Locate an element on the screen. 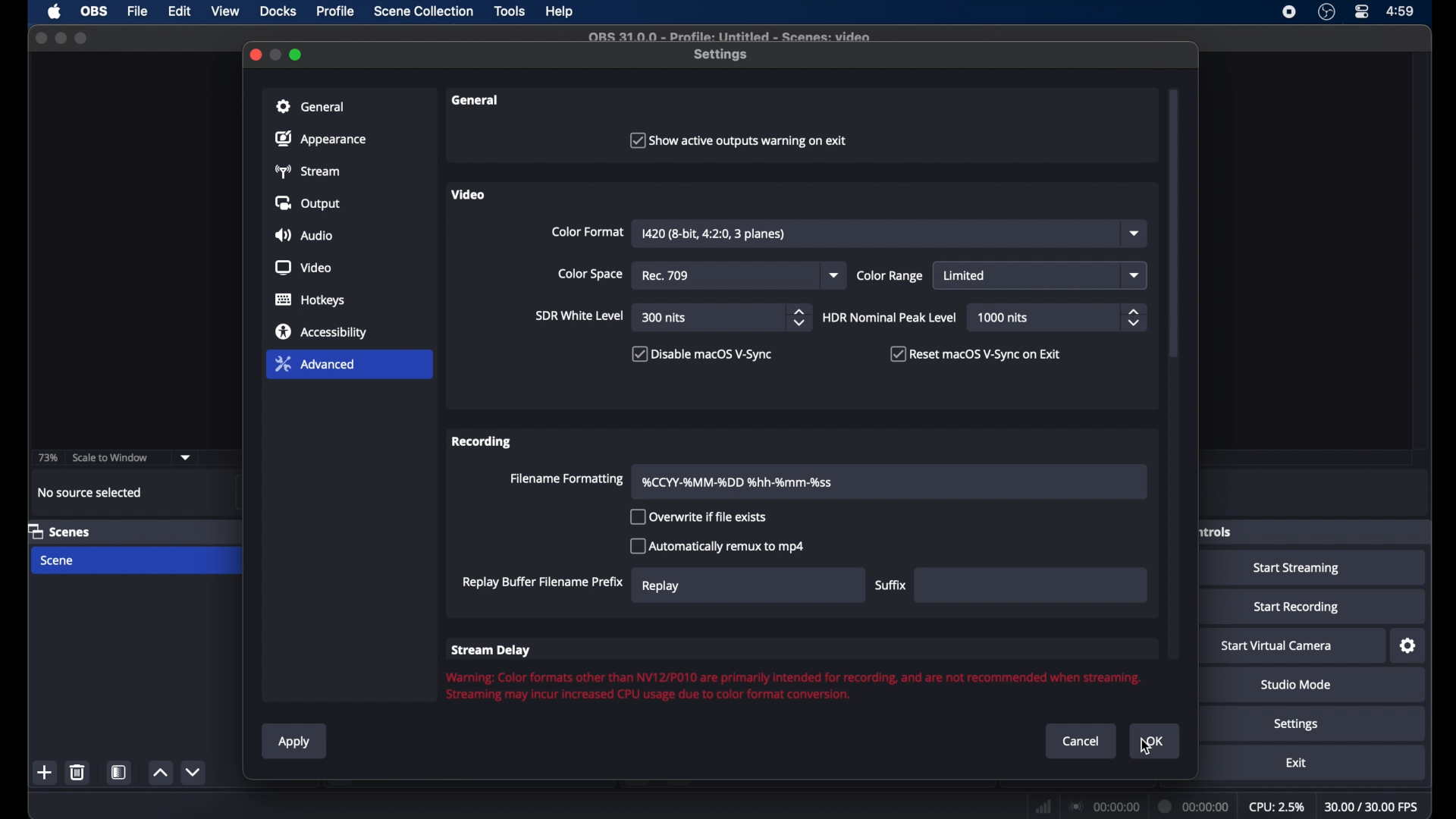 The width and height of the screenshot is (1456, 819). scale to window is located at coordinates (111, 457).